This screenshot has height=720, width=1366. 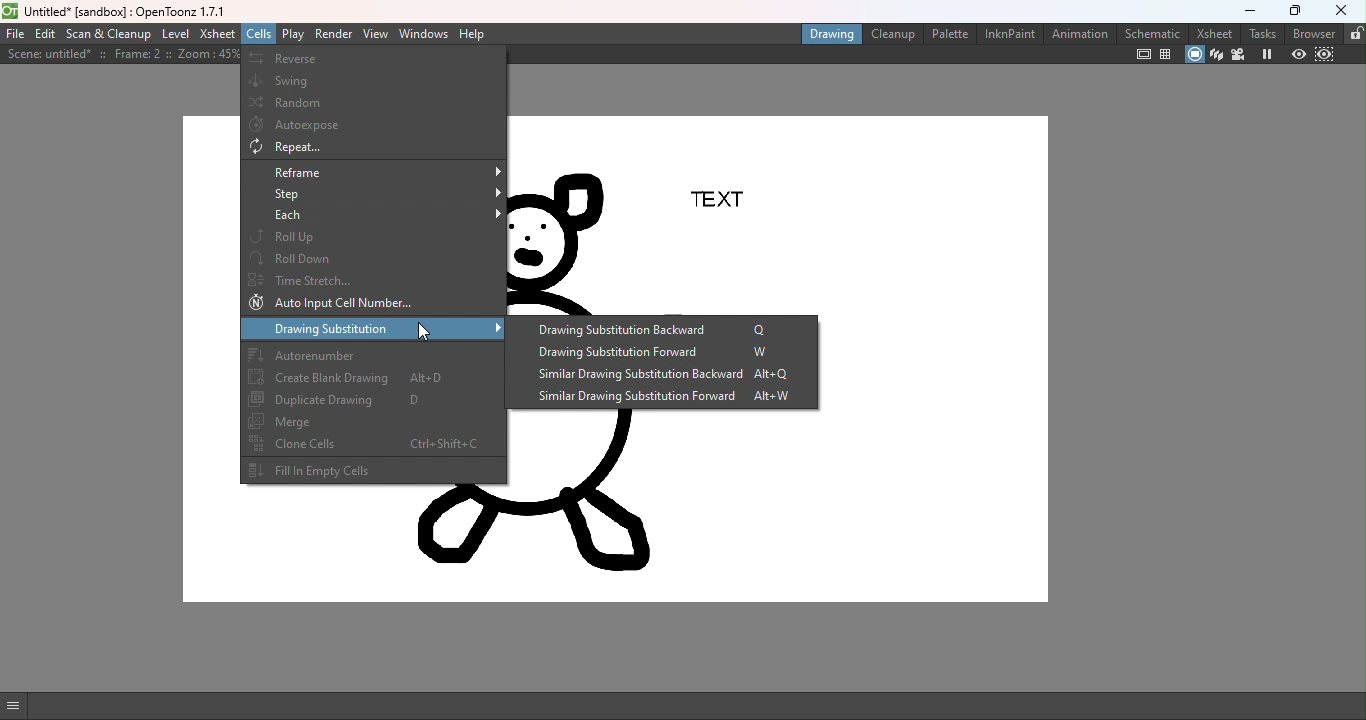 What do you see at coordinates (218, 33) in the screenshot?
I see `Xsheet` at bounding box center [218, 33].